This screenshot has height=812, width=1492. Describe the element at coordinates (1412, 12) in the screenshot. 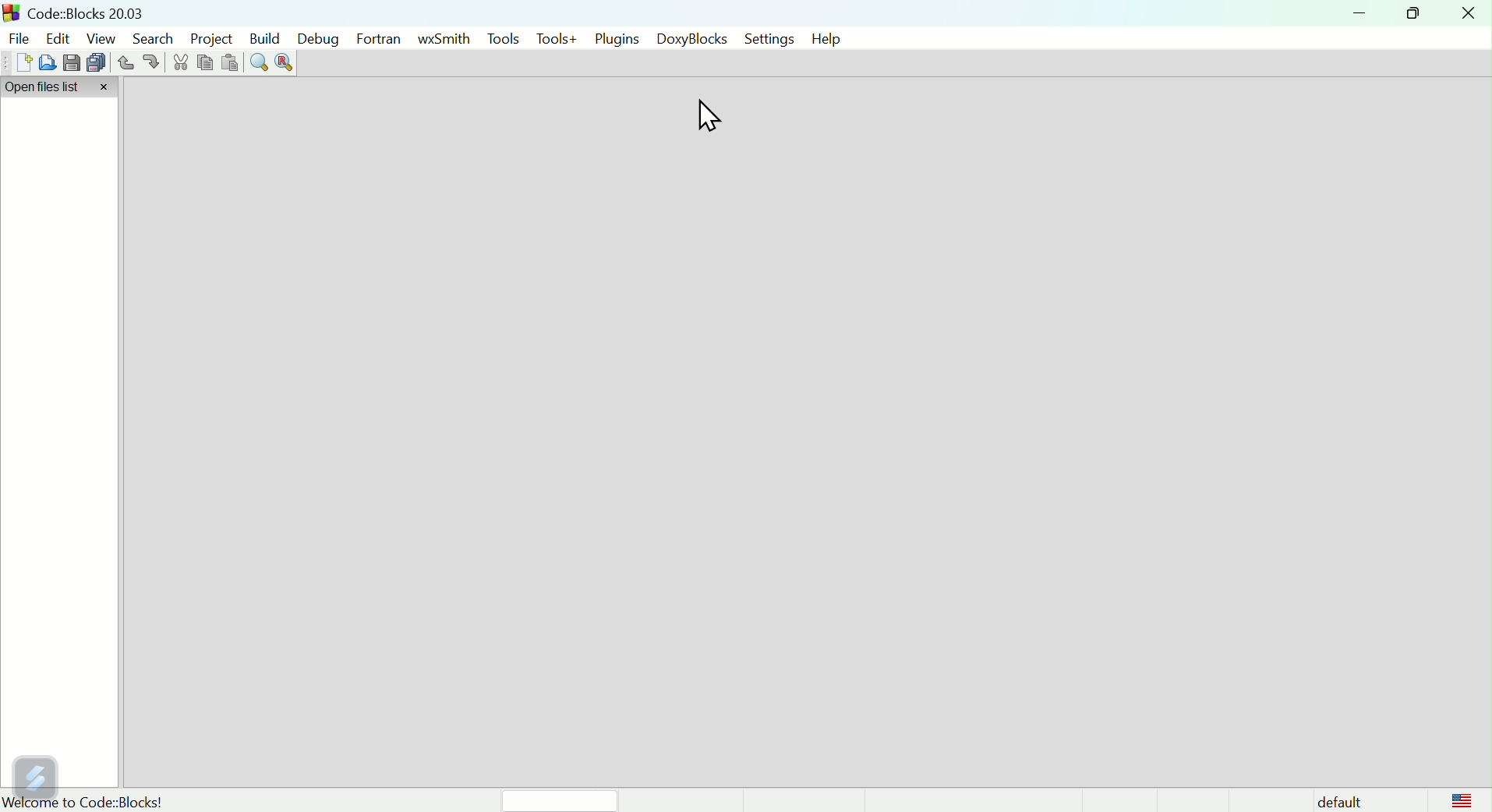

I see `maximise` at that location.